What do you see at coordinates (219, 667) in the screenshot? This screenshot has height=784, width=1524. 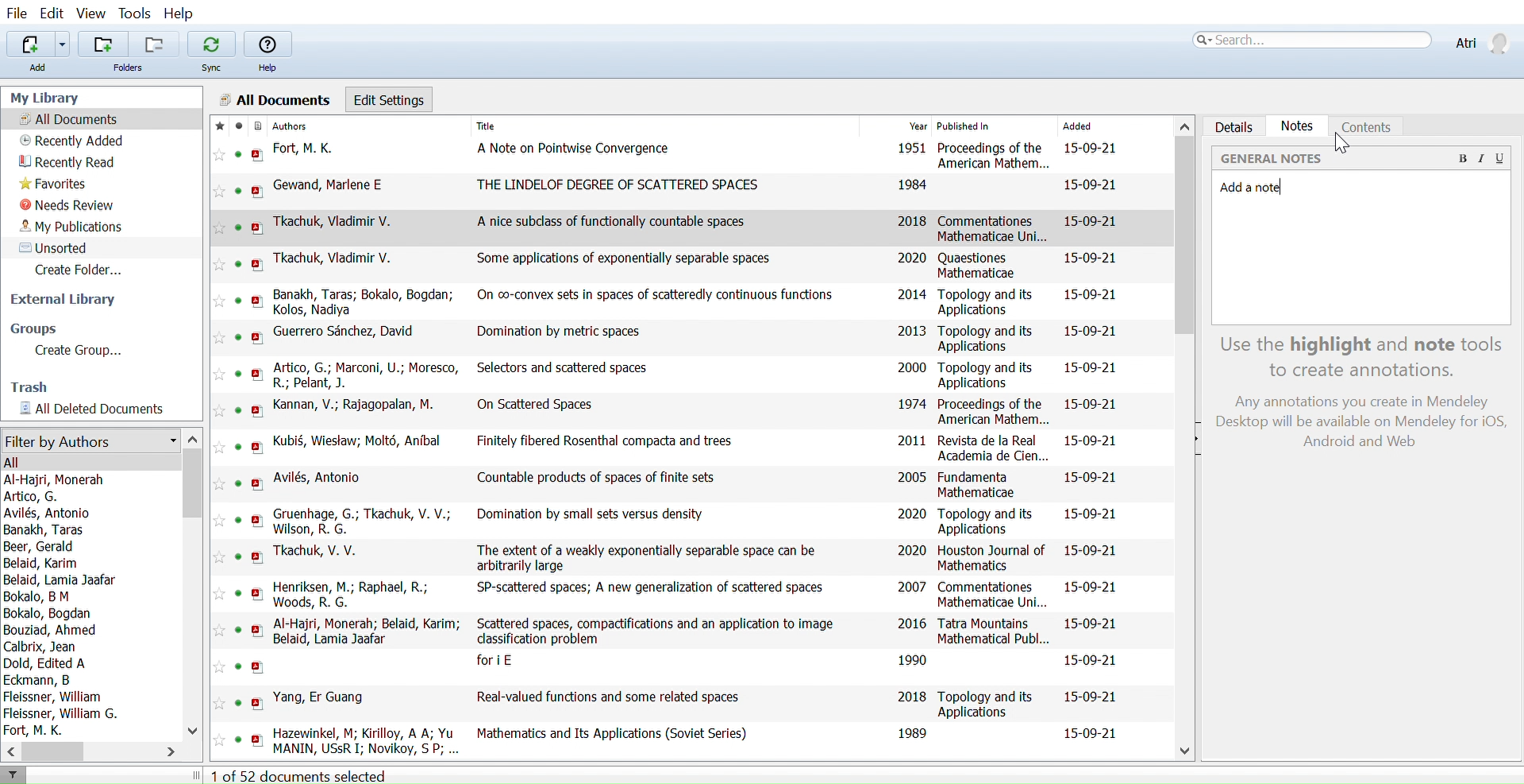 I see `Add this reference to favorites` at bounding box center [219, 667].